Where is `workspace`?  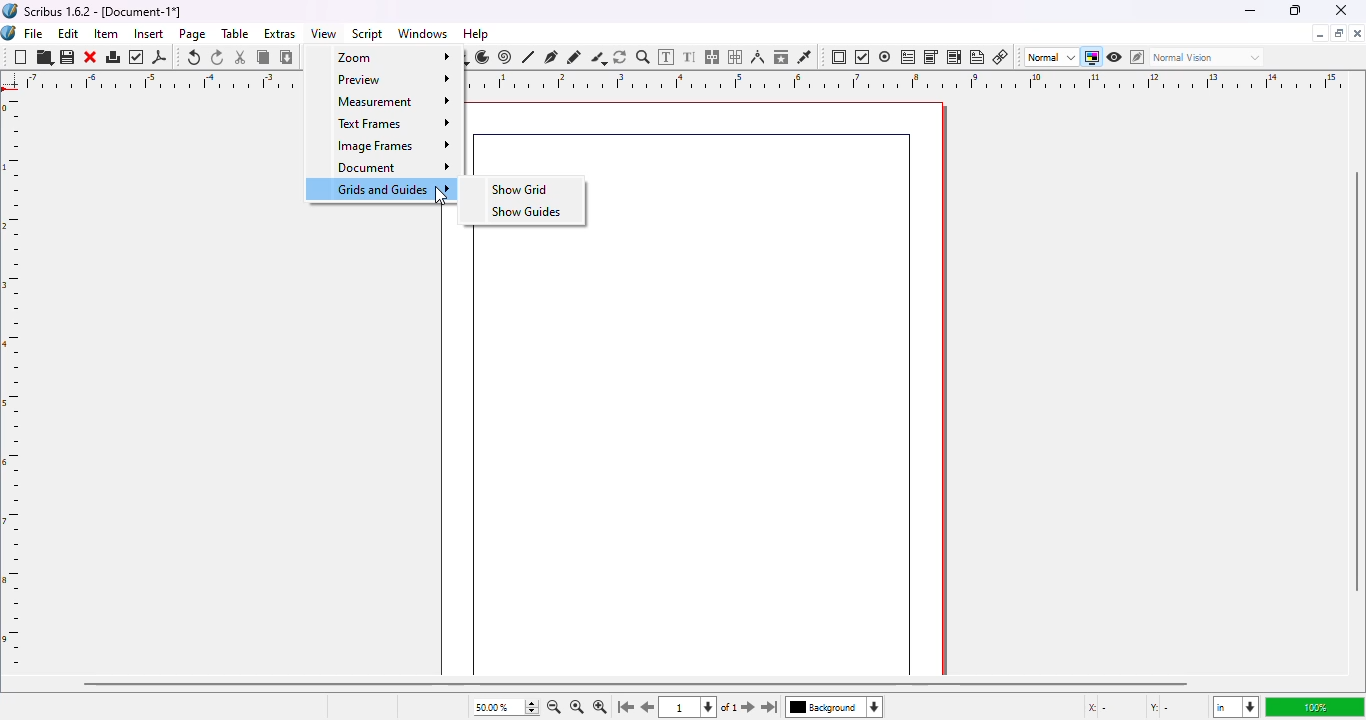 workspace is located at coordinates (775, 376).